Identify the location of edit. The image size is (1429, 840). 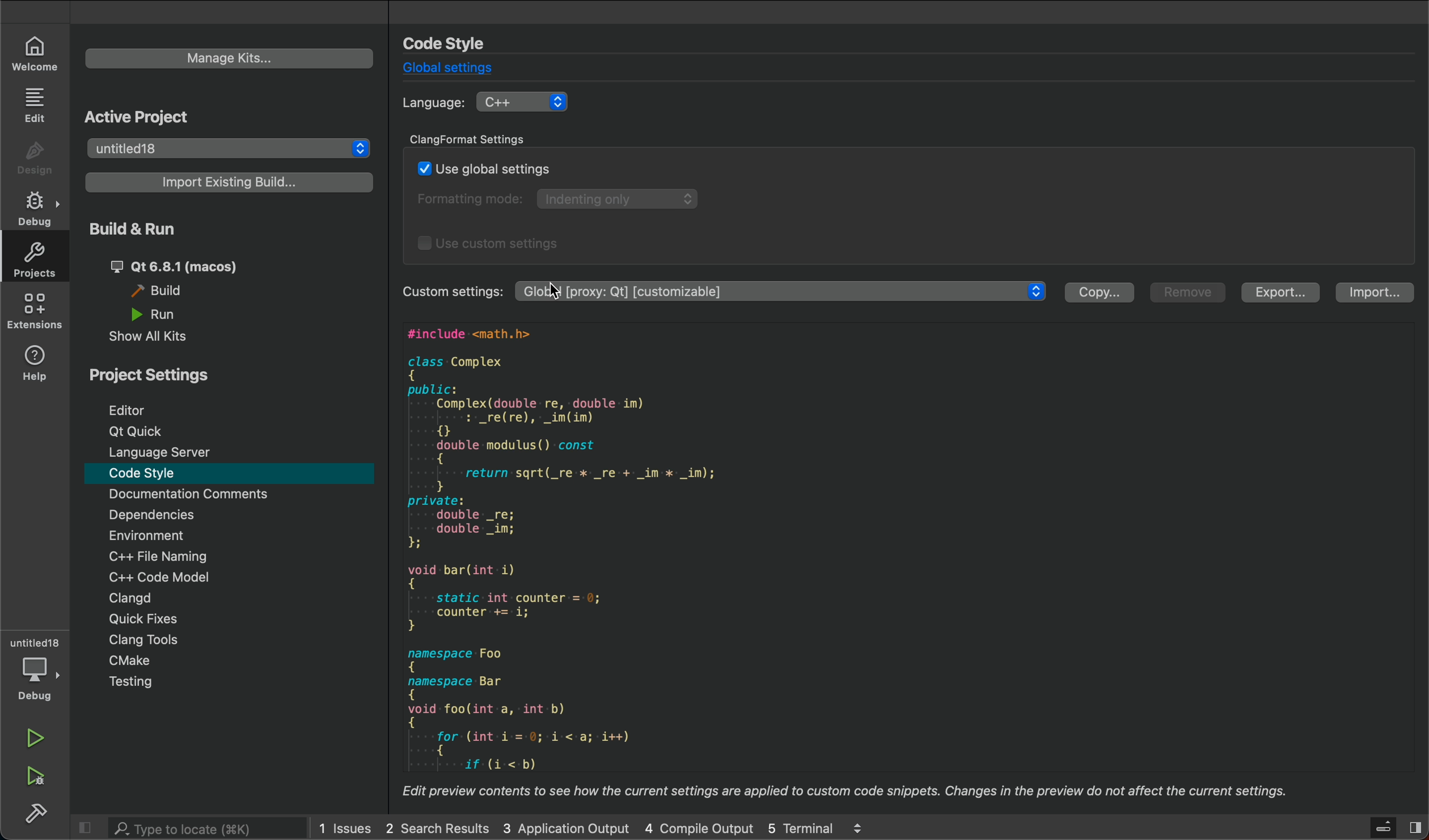
(35, 106).